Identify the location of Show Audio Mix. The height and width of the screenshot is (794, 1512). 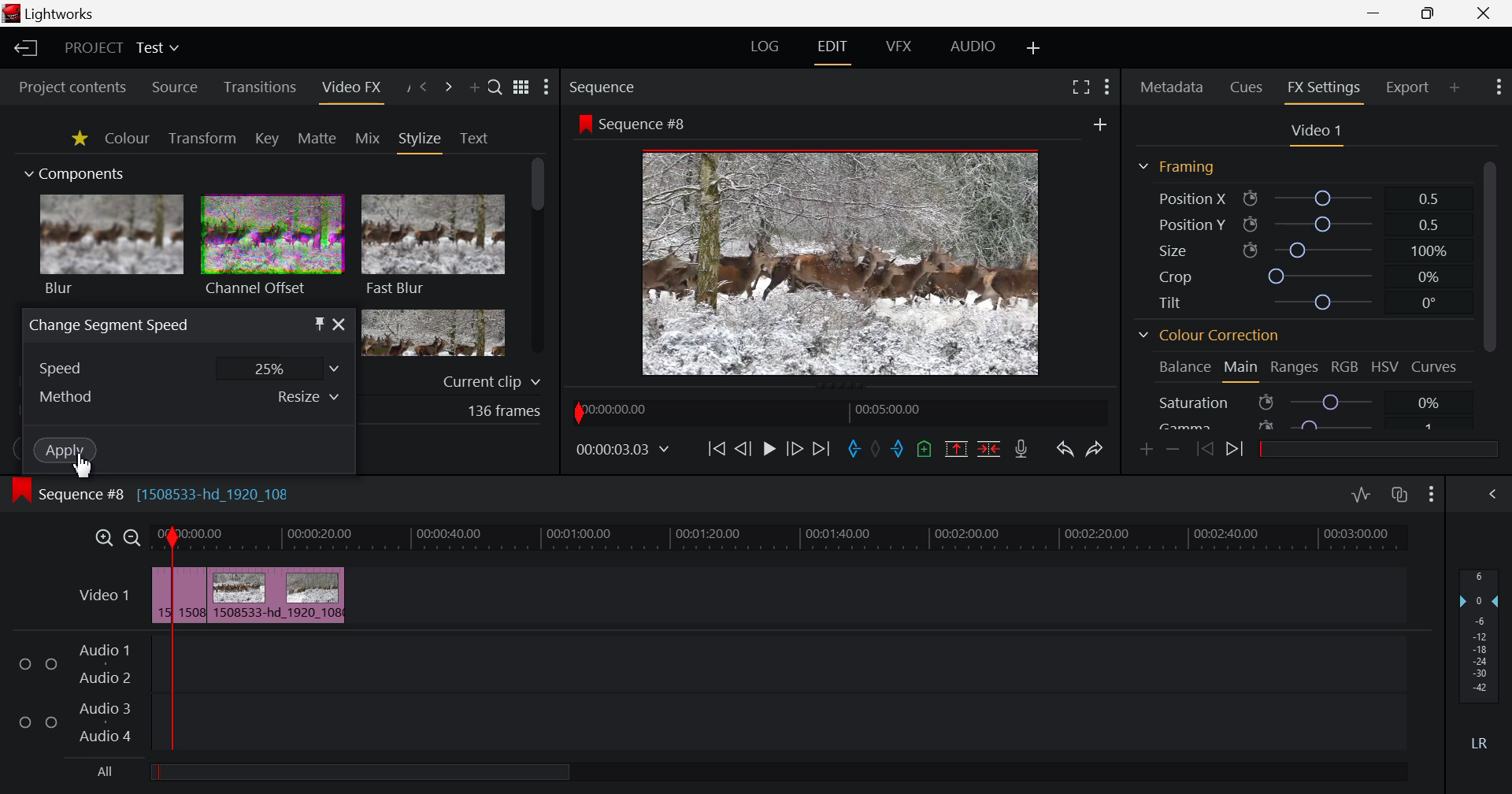
(1494, 495).